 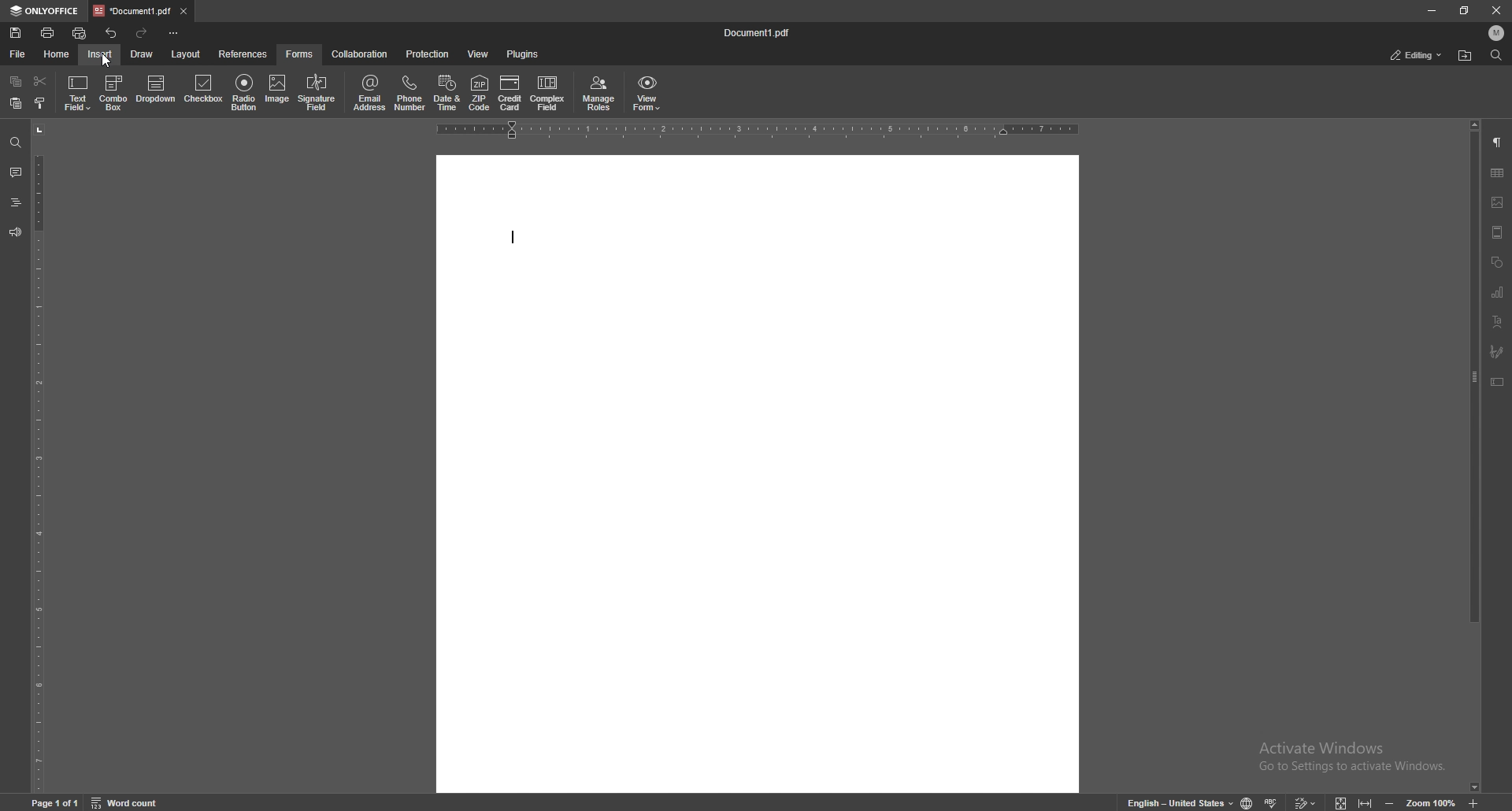 What do you see at coordinates (757, 475) in the screenshot?
I see `document` at bounding box center [757, 475].